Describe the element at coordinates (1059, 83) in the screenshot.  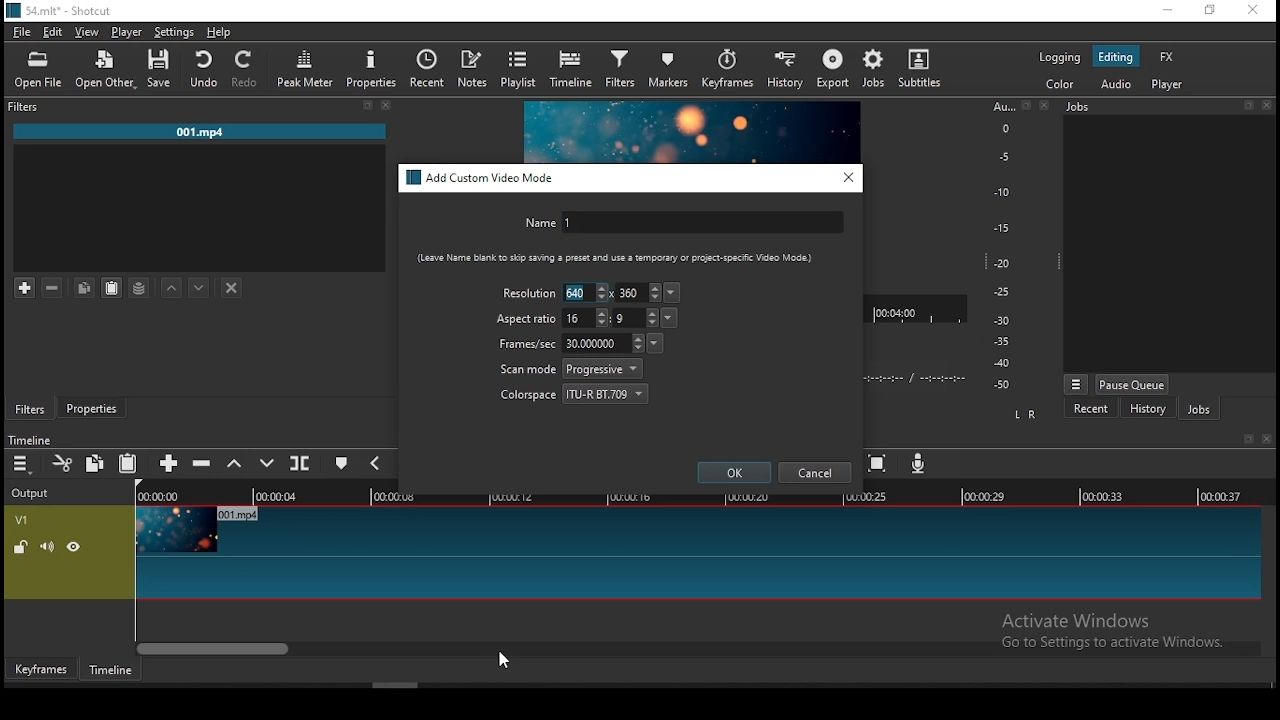
I see `color` at that location.